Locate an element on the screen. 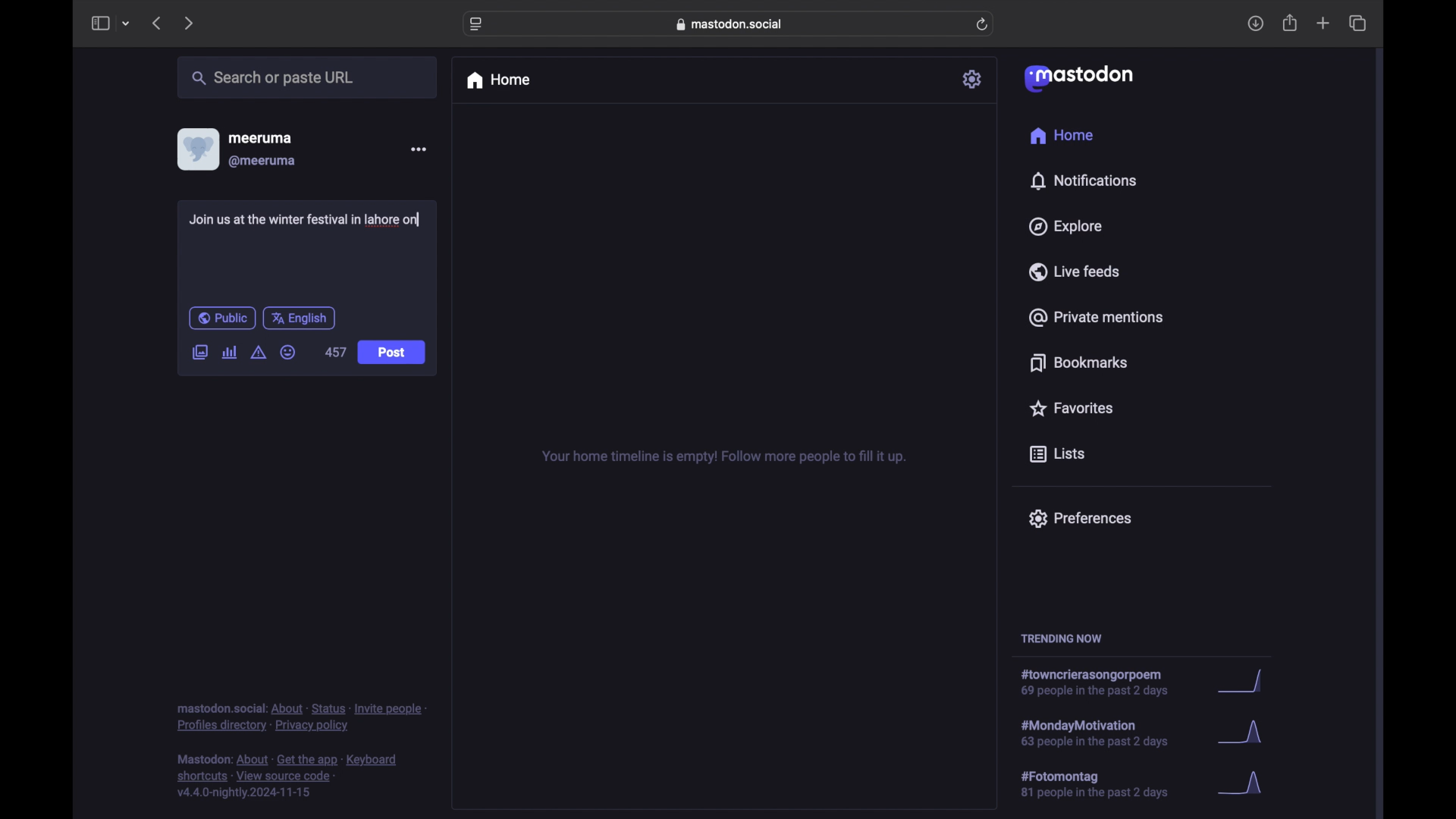  Join us at the winter festival in lahore on is located at coordinates (306, 220).